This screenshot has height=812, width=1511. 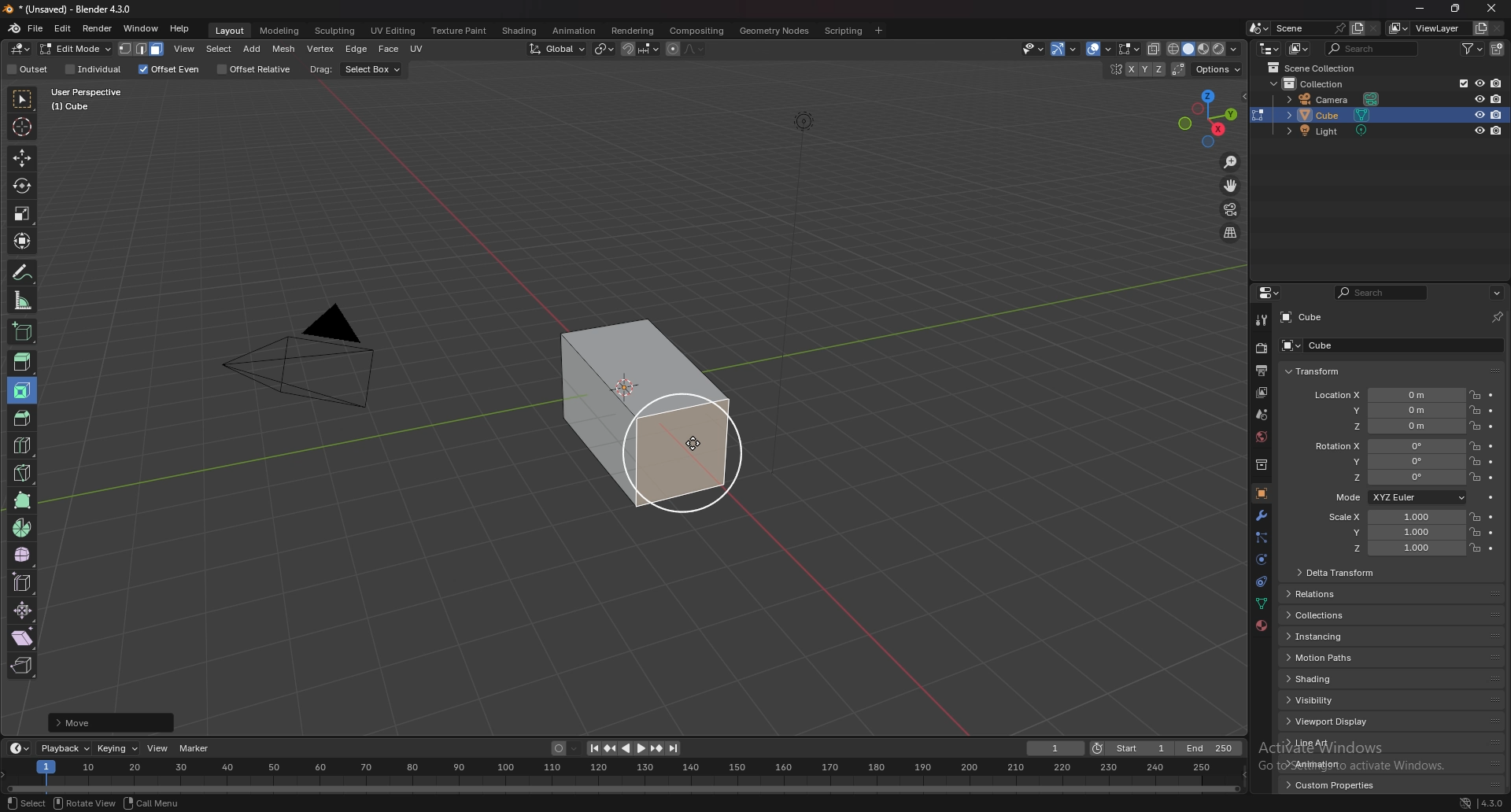 What do you see at coordinates (1492, 426) in the screenshot?
I see `animate property` at bounding box center [1492, 426].